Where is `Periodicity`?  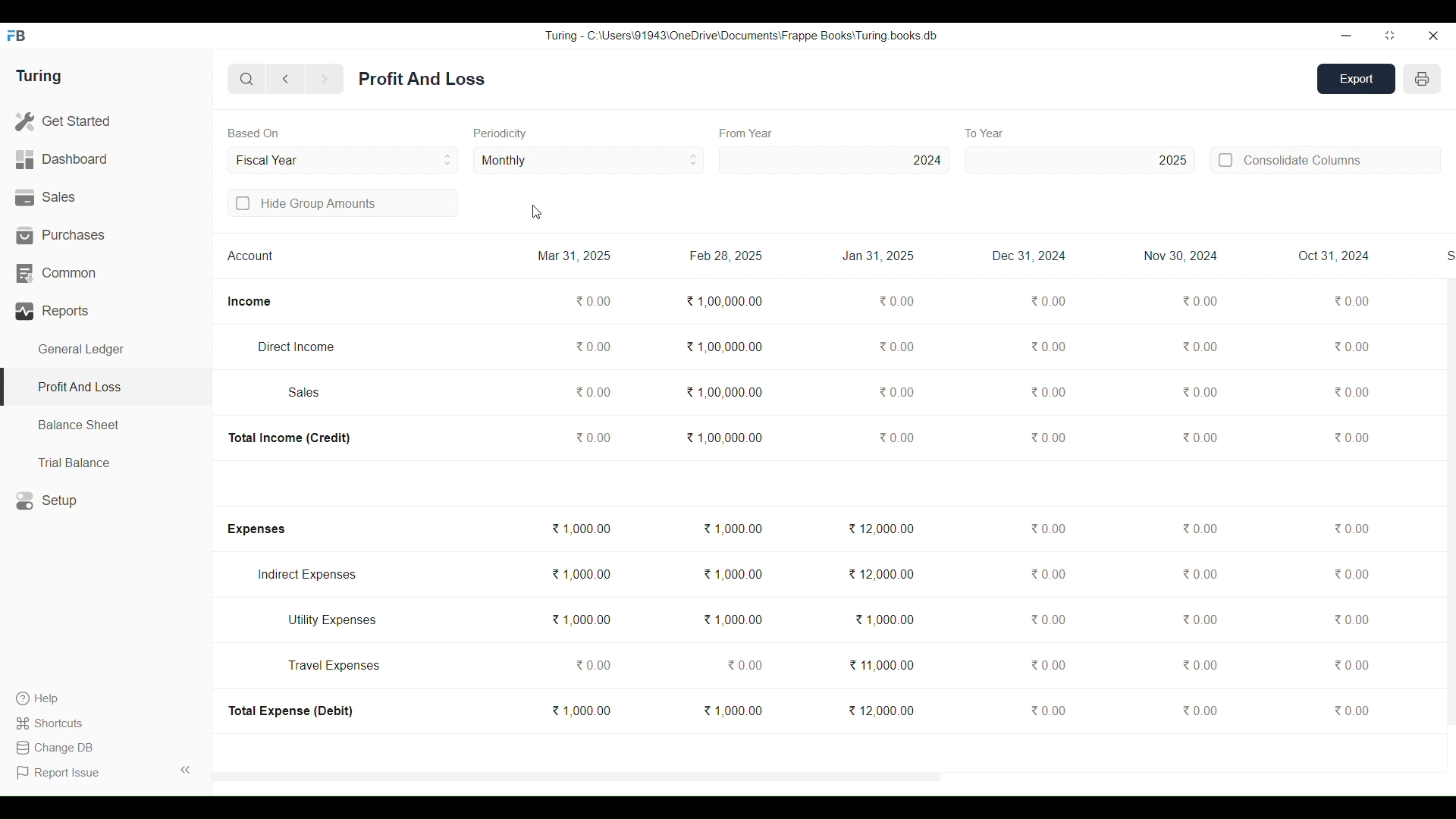 Periodicity is located at coordinates (500, 133).